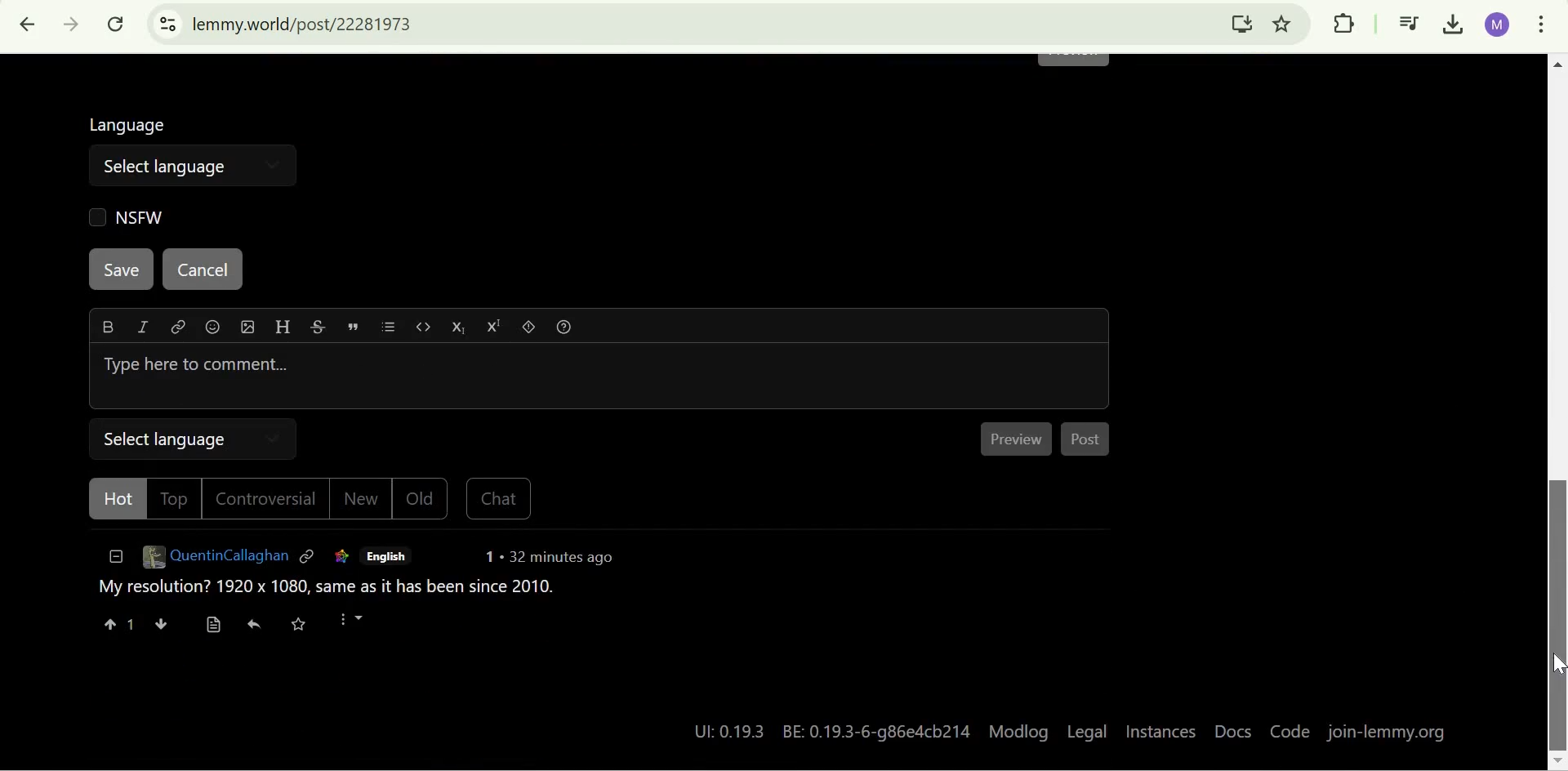 The height and width of the screenshot is (771, 1568). I want to click on 1 upvote, so click(118, 626).